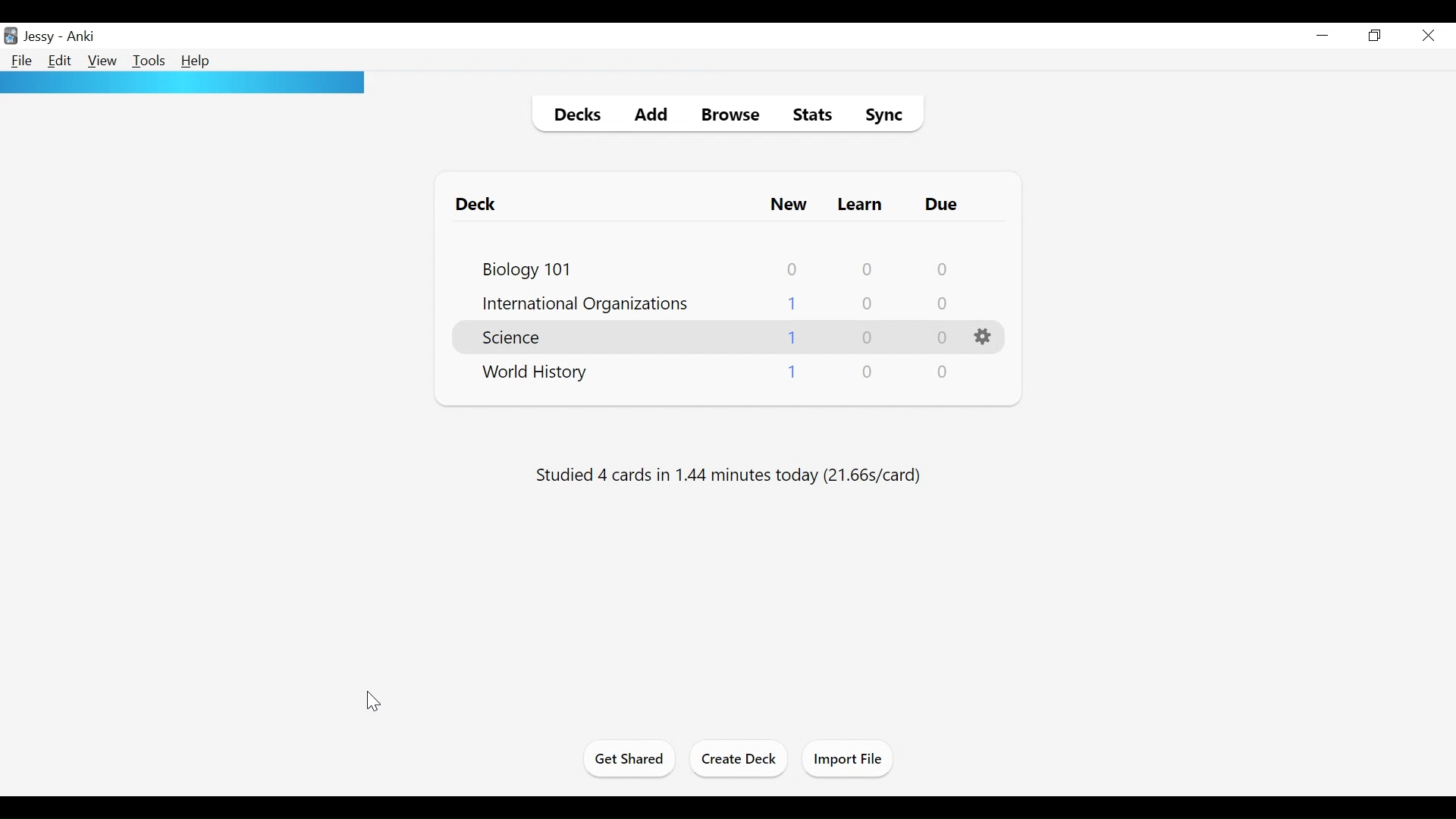 The width and height of the screenshot is (1456, 819). I want to click on Deck Name, so click(588, 306).